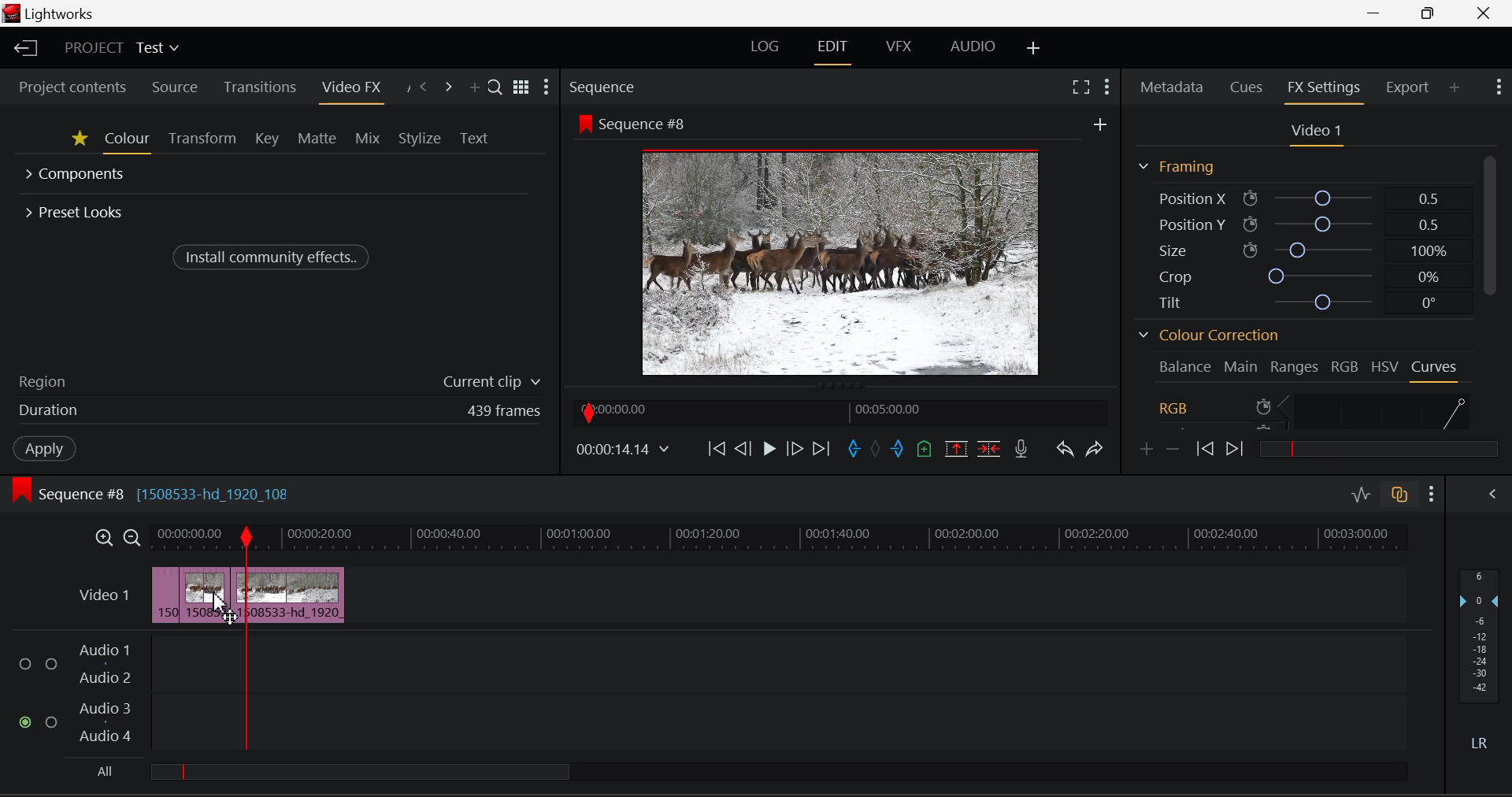 The height and width of the screenshot is (797, 1512). What do you see at coordinates (1484, 13) in the screenshot?
I see `Close` at bounding box center [1484, 13].